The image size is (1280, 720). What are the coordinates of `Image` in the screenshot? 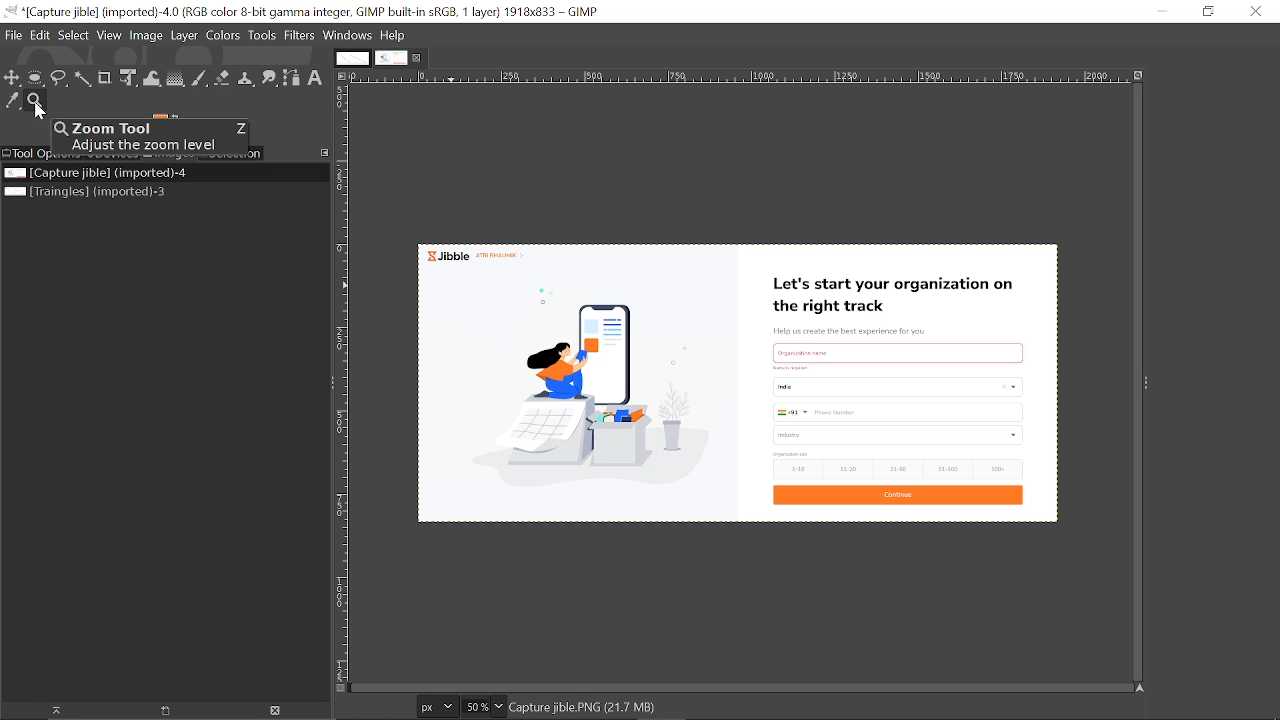 It's located at (147, 36).